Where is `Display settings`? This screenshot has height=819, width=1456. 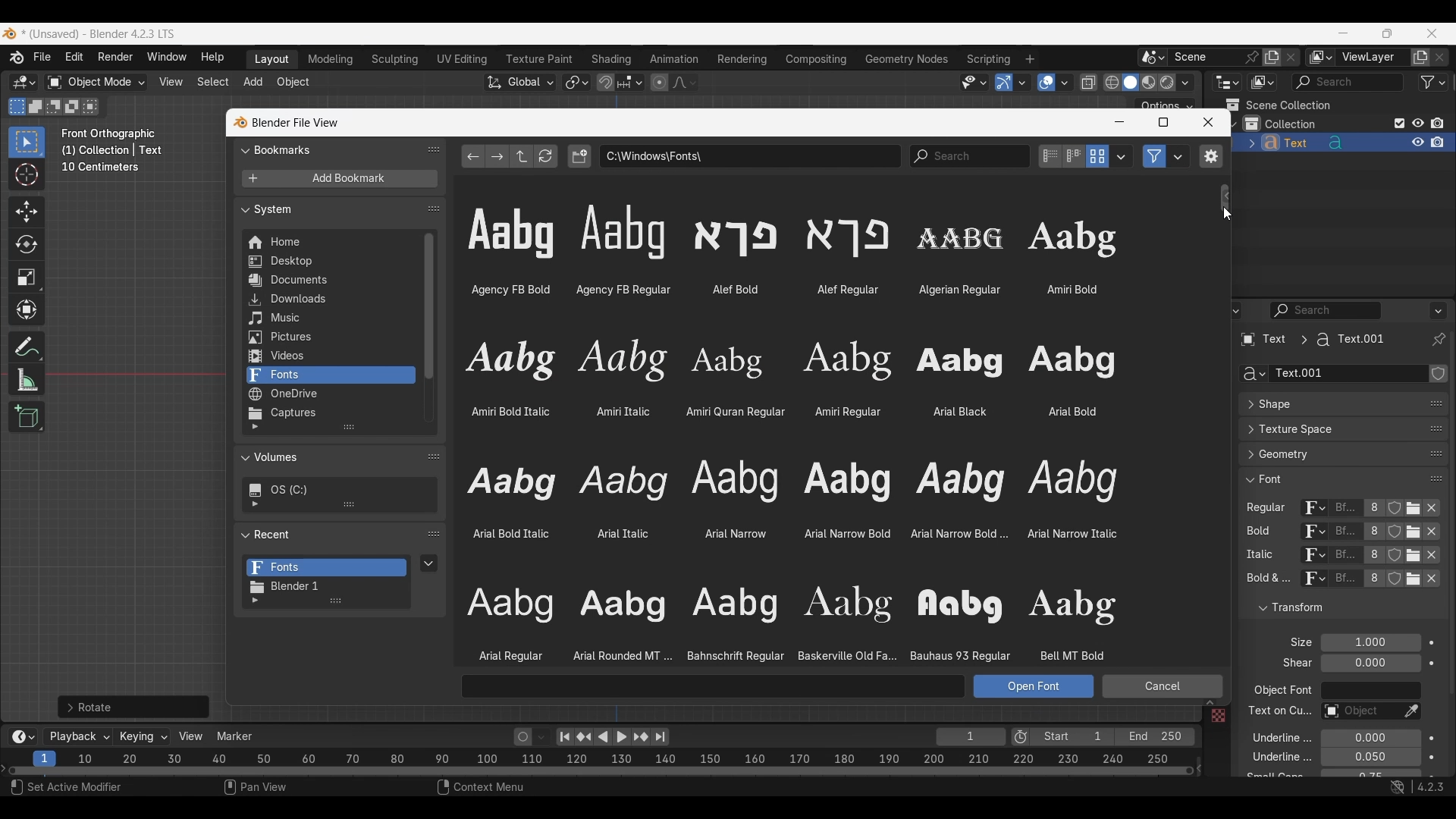 Display settings is located at coordinates (1122, 156).